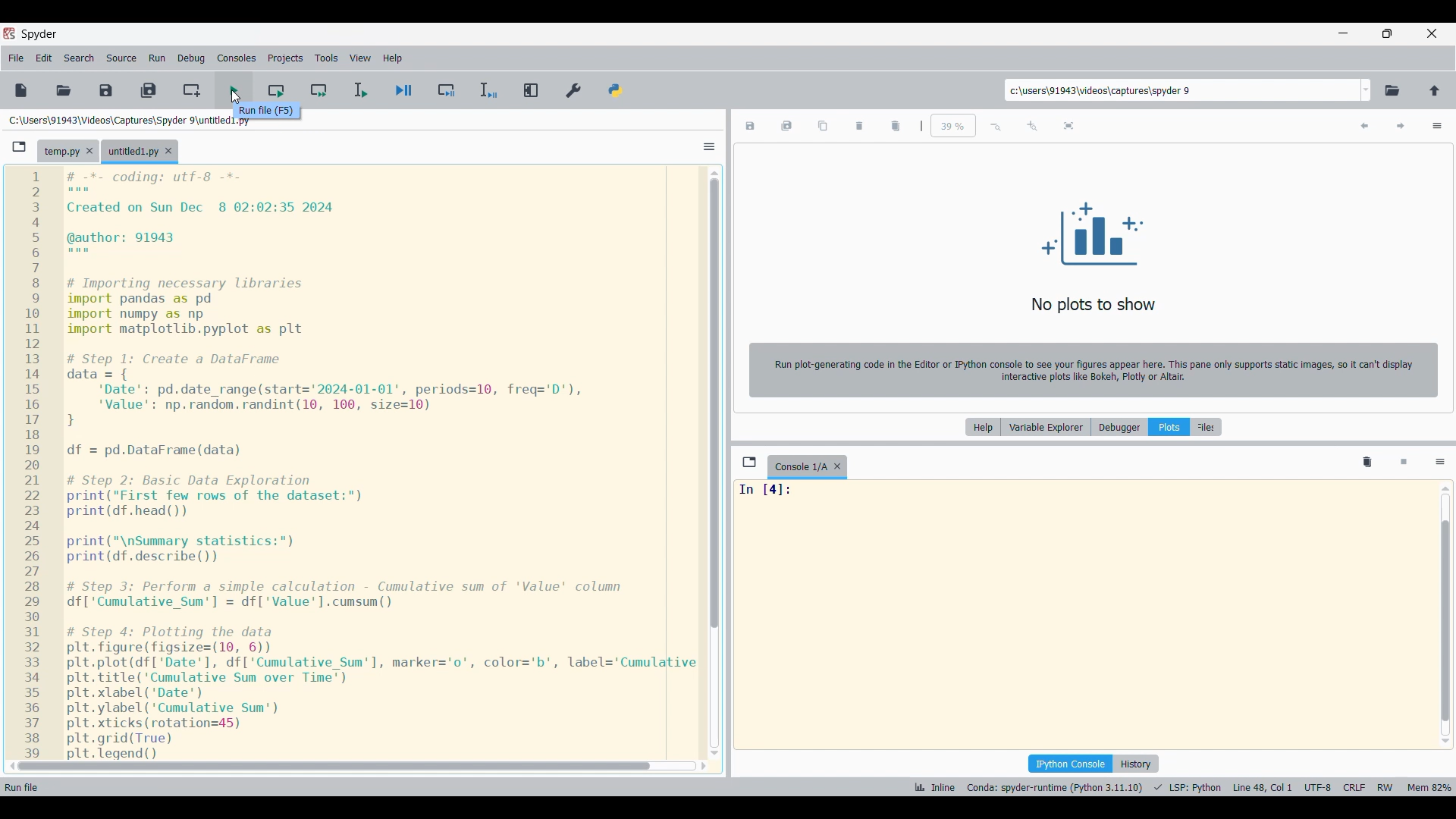 The height and width of the screenshot is (819, 1456). Describe the element at coordinates (1181, 89) in the screenshot. I see `Input folder location` at that location.